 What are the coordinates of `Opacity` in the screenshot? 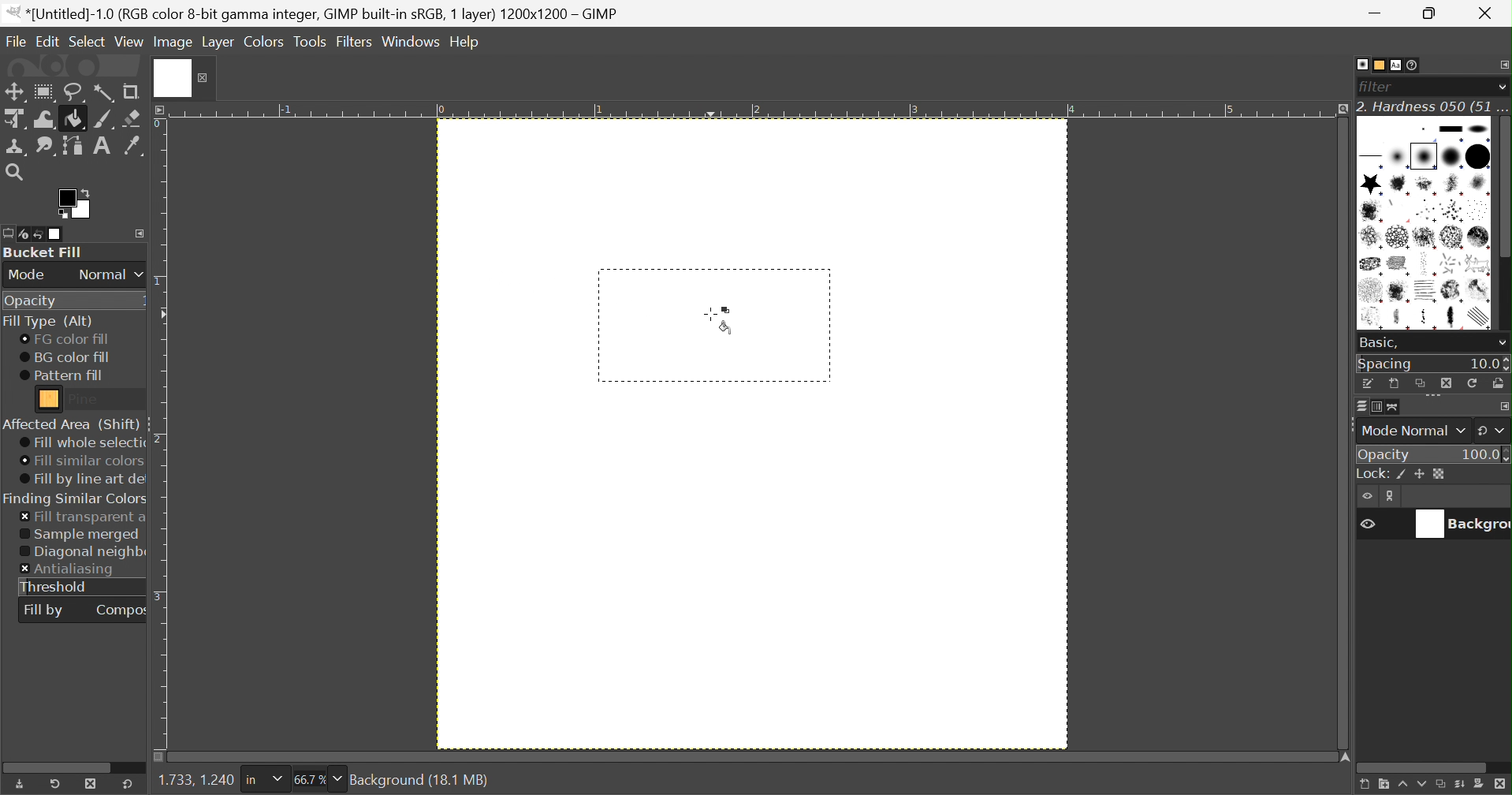 It's located at (29, 302).